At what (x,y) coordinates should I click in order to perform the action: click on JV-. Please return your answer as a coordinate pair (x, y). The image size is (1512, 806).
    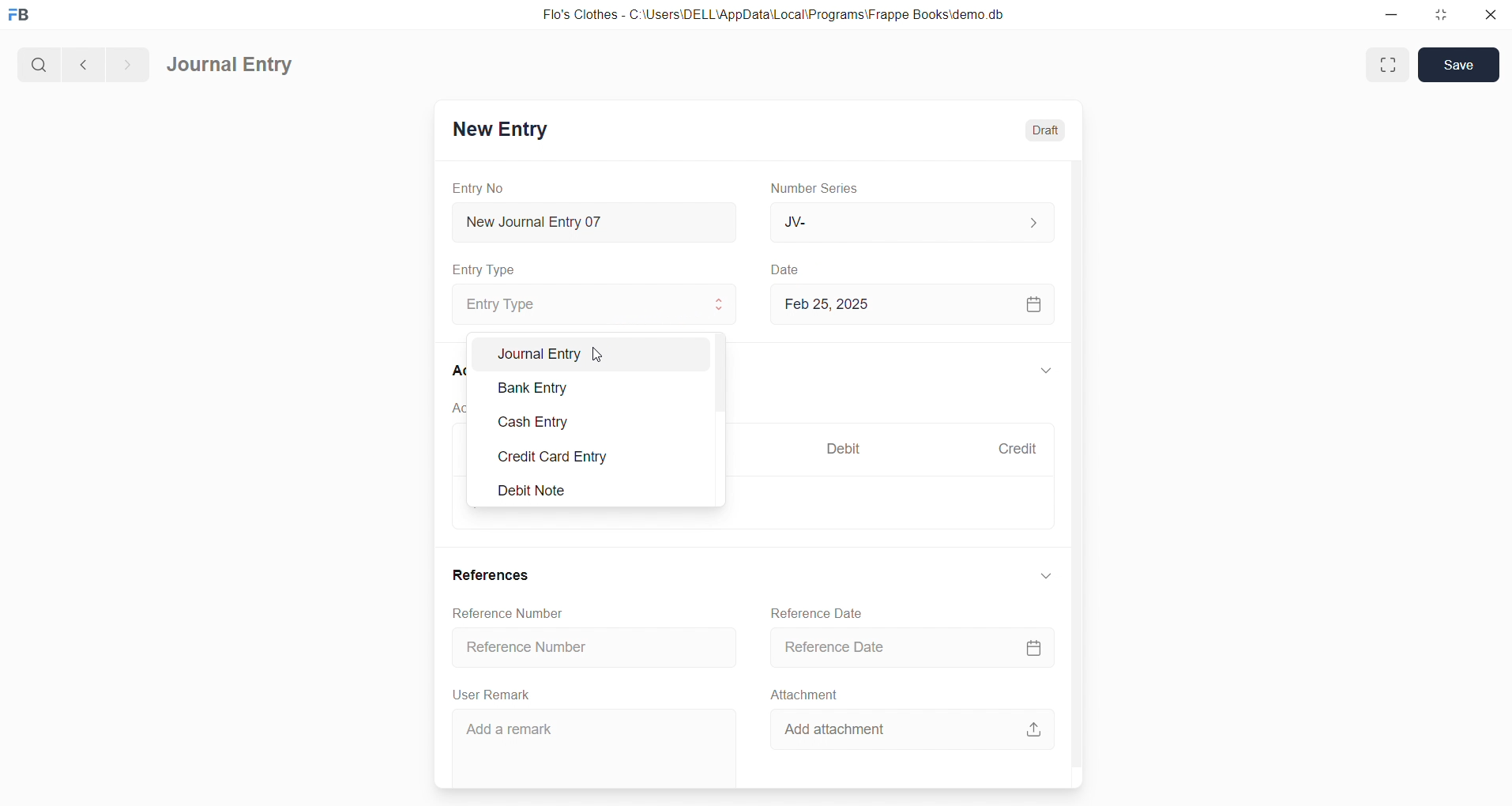
    Looking at the image, I should click on (910, 223).